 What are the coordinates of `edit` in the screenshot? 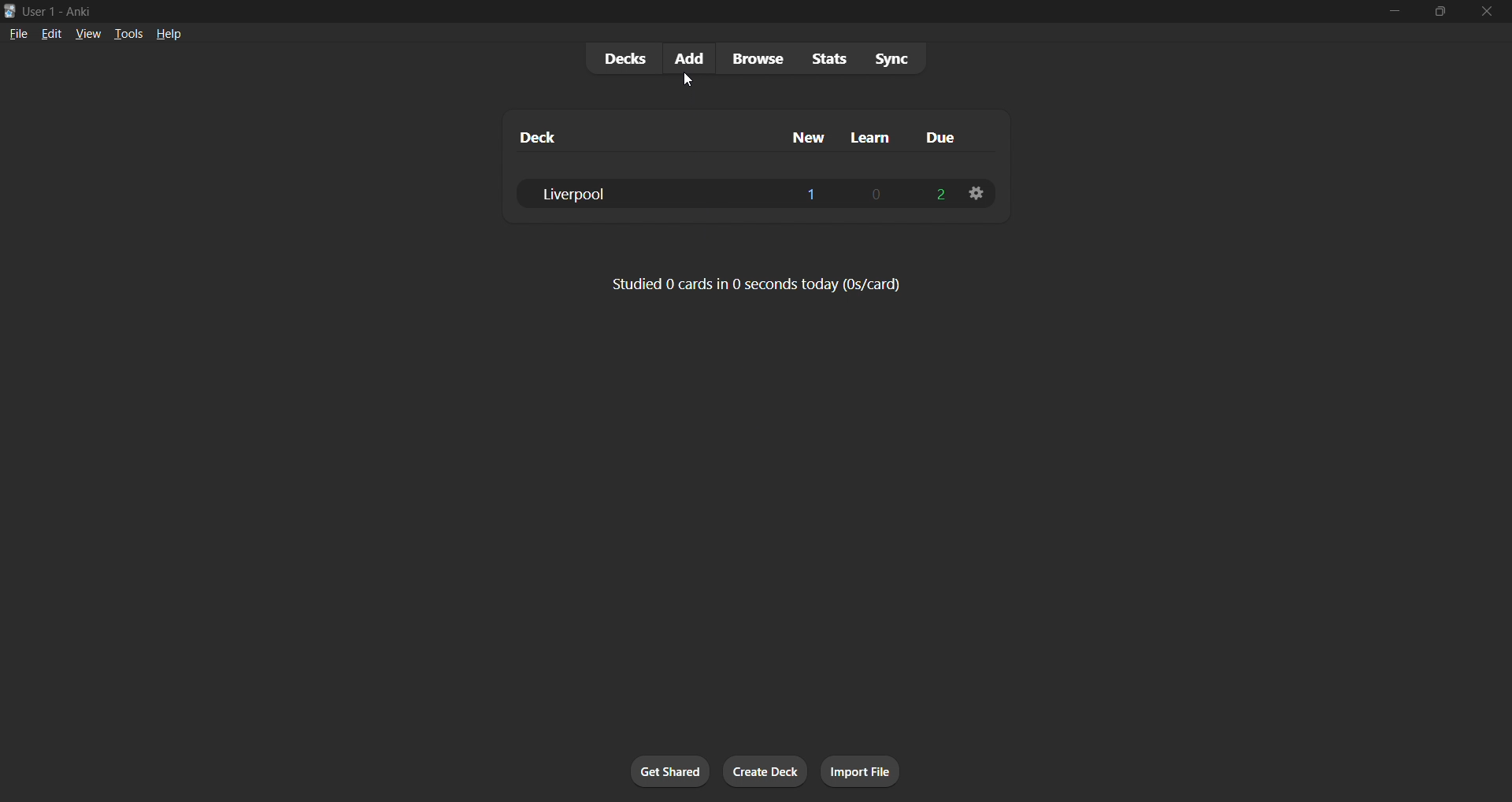 It's located at (50, 35).